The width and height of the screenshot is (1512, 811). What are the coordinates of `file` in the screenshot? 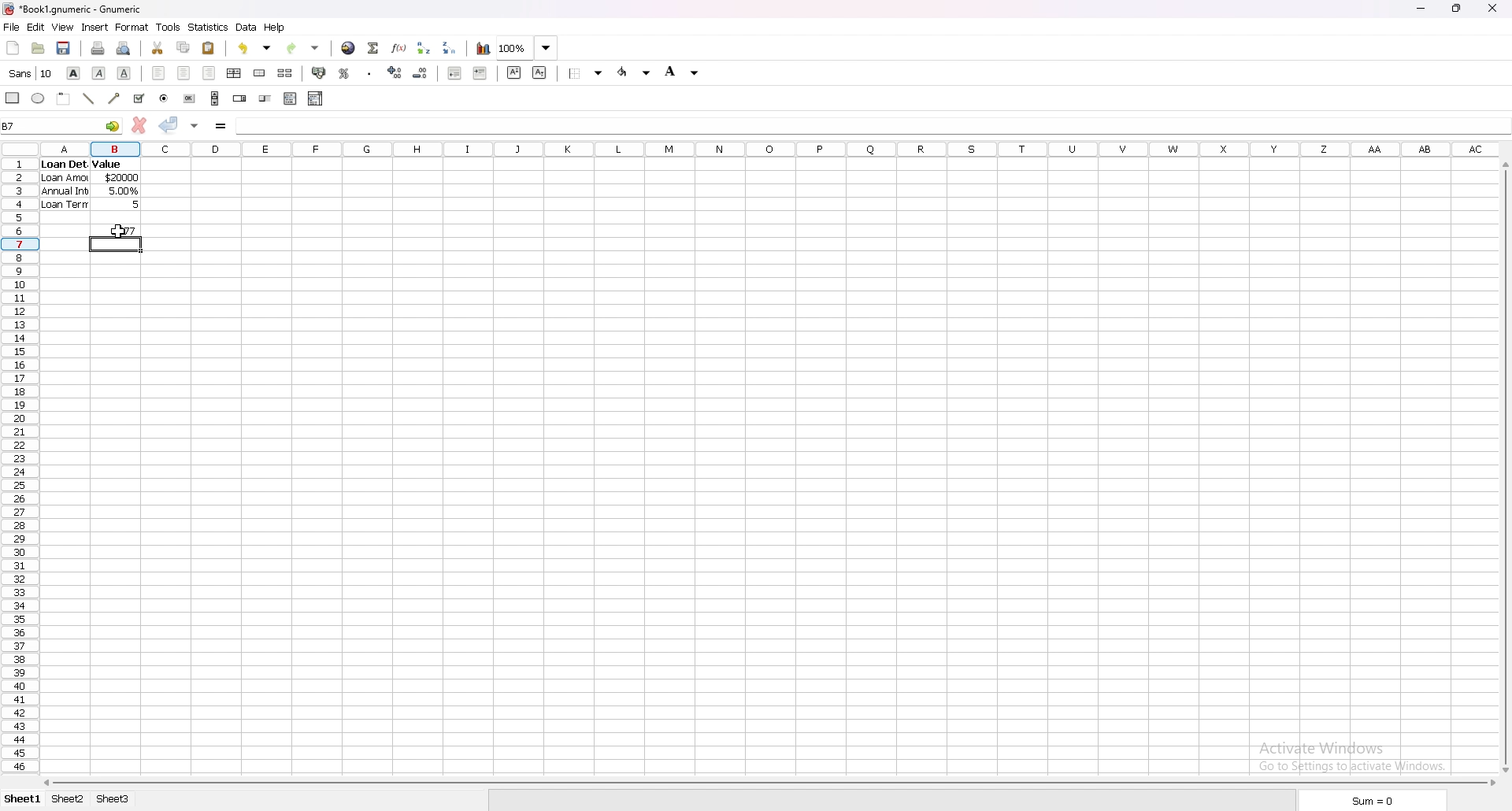 It's located at (11, 27).